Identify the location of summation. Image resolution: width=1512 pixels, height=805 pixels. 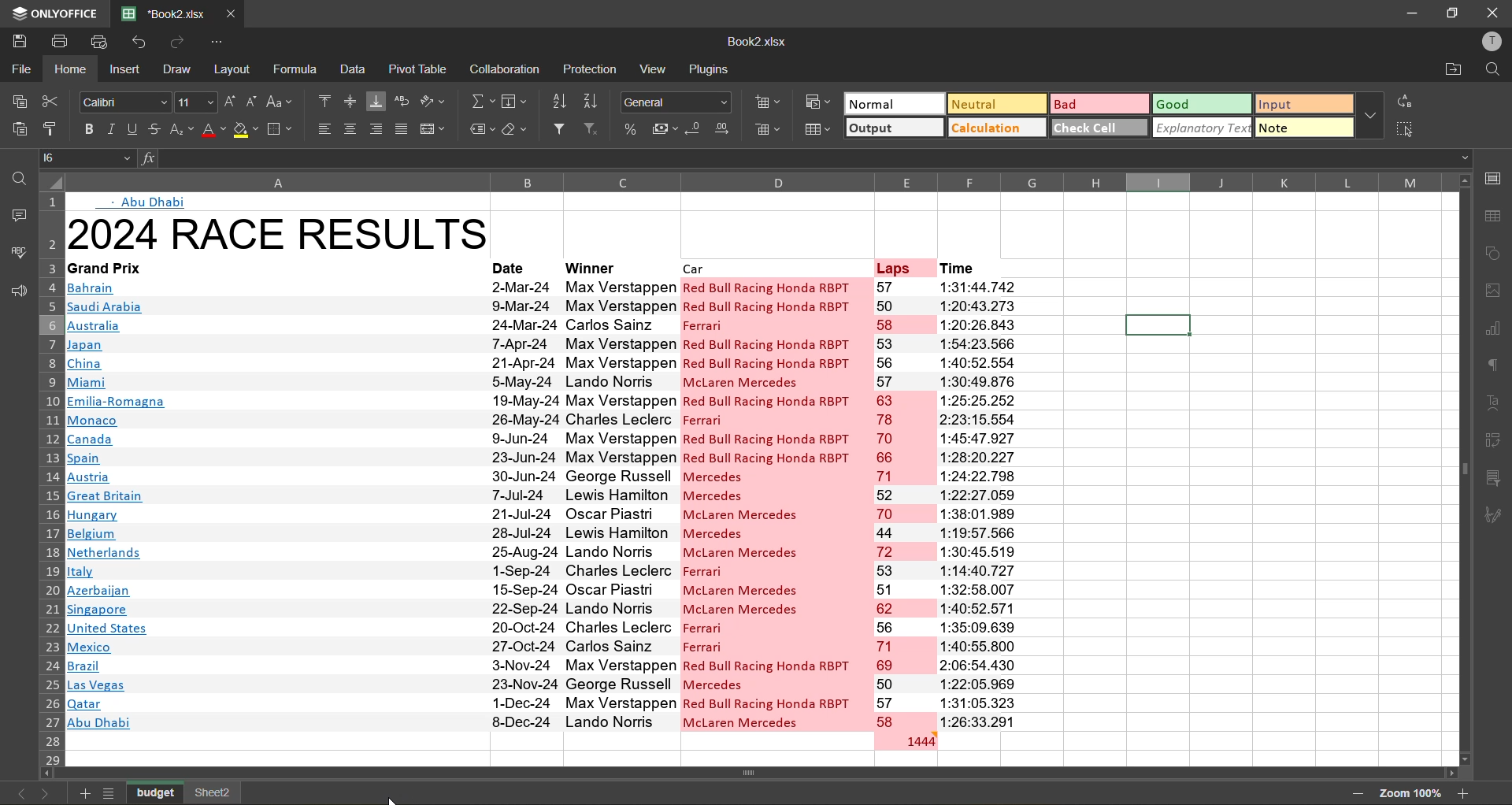
(484, 100).